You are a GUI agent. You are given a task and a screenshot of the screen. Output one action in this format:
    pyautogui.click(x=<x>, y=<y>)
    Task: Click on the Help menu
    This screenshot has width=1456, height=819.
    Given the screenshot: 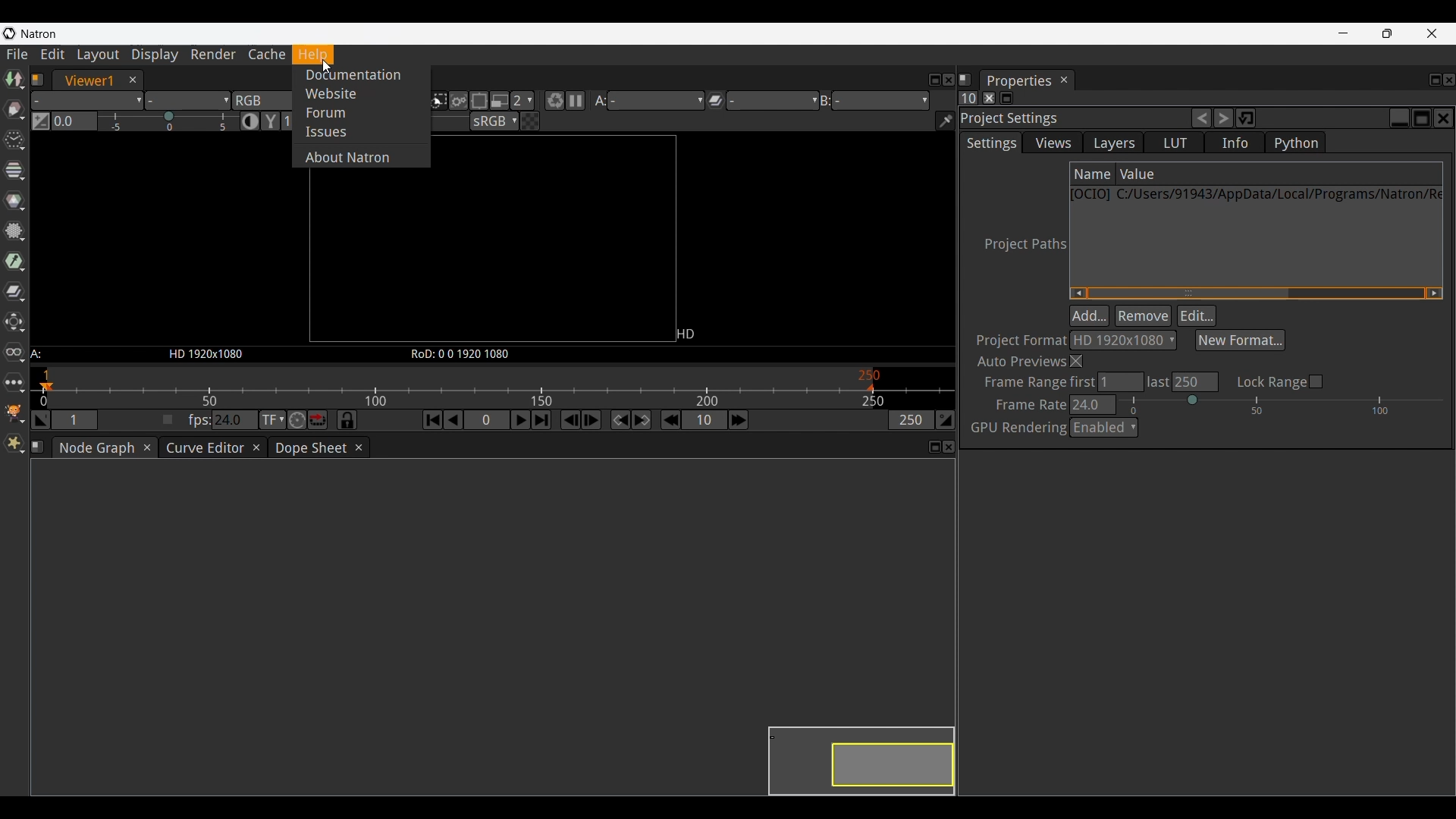 What is the action you would take?
    pyautogui.click(x=318, y=55)
    